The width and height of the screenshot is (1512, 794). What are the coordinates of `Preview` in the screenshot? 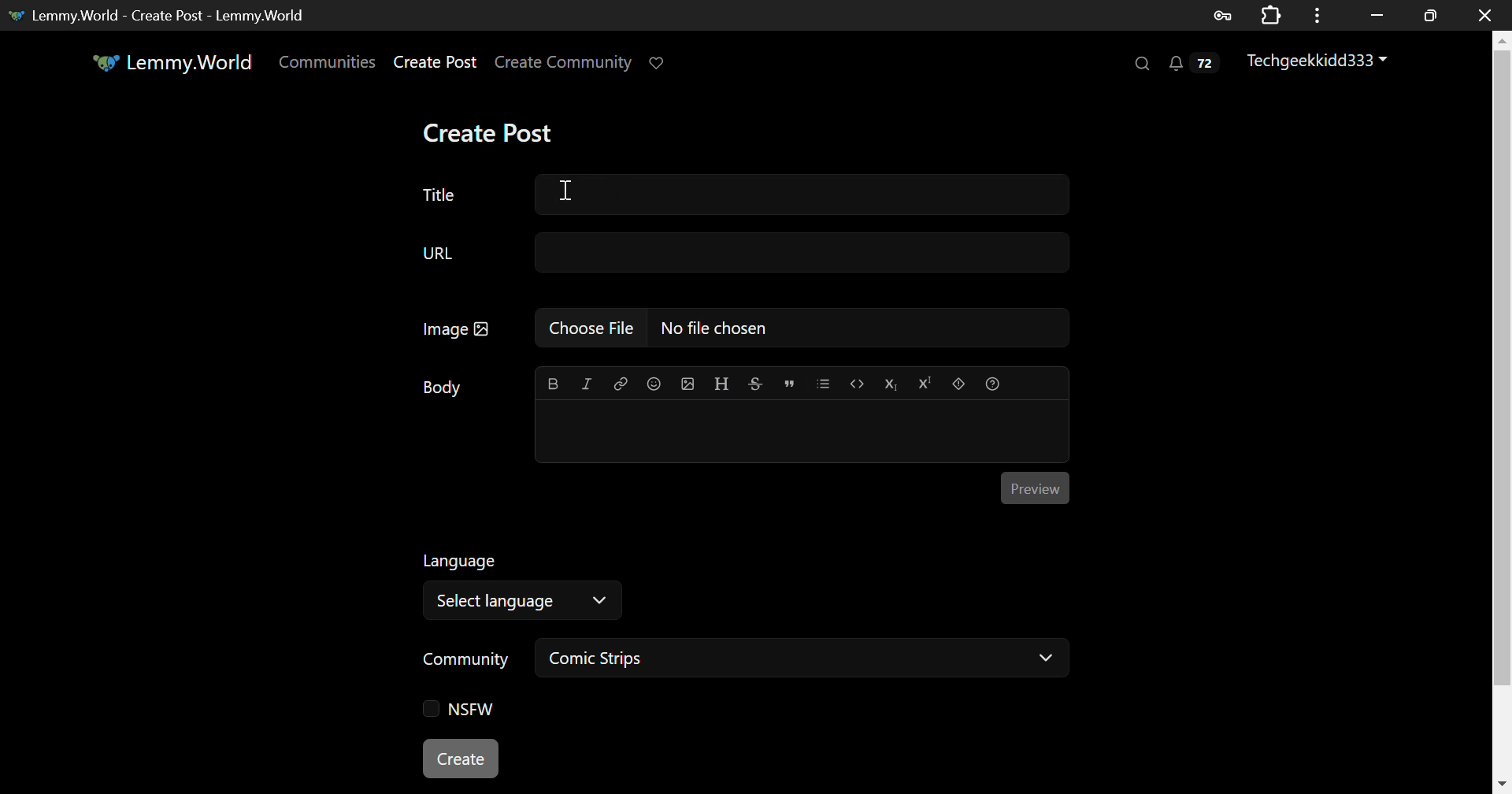 It's located at (1033, 485).